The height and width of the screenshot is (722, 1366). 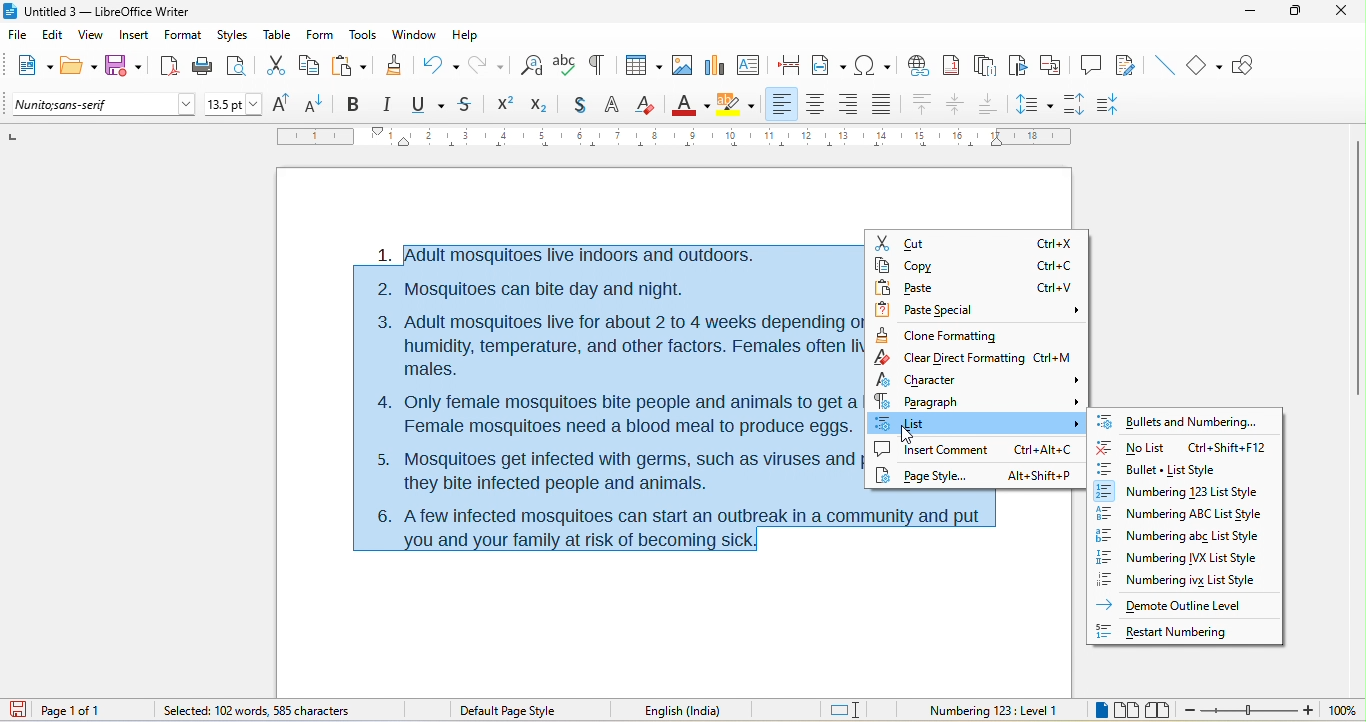 I want to click on underline, so click(x=429, y=105).